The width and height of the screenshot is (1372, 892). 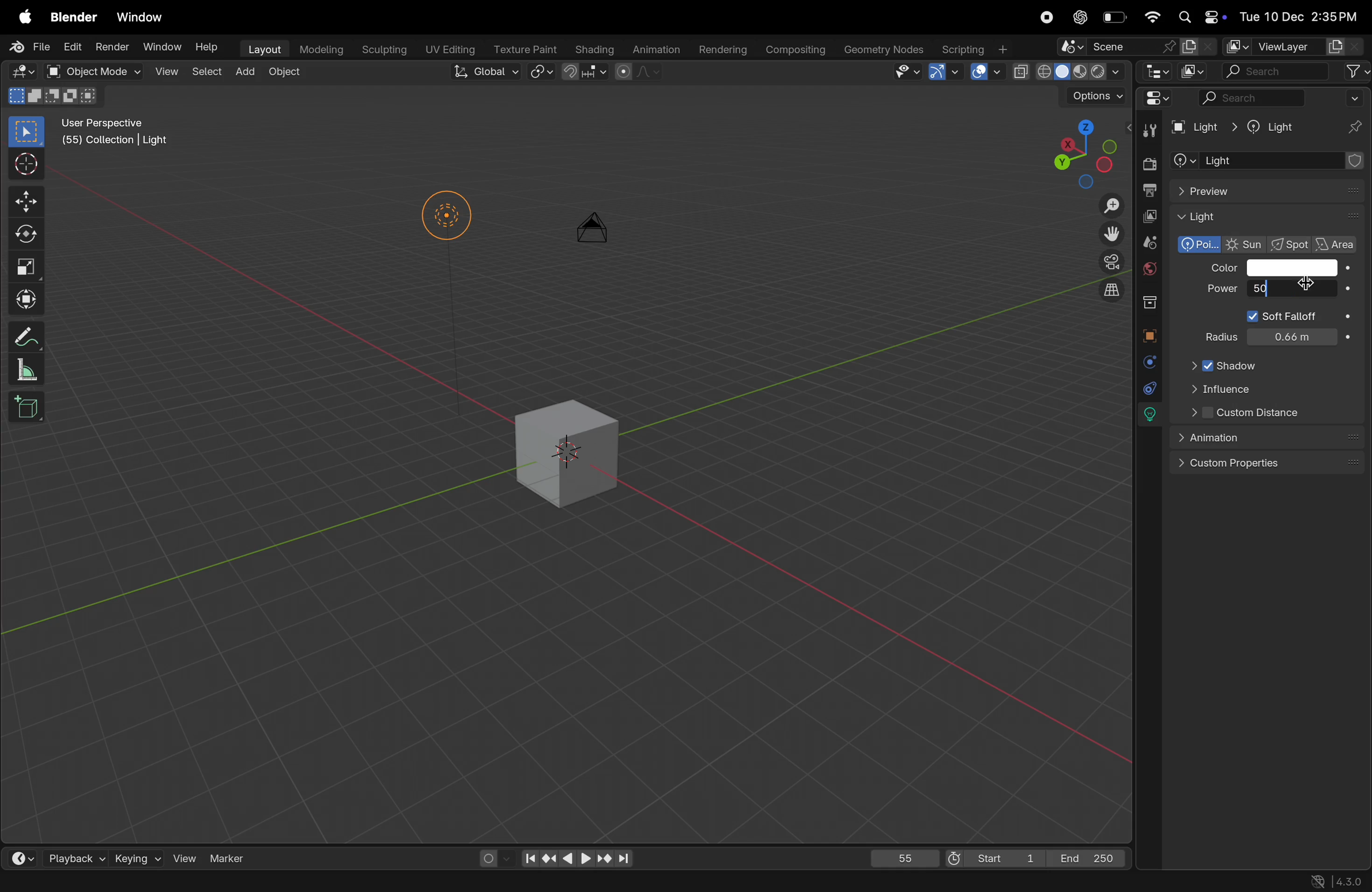 I want to click on 10000, so click(x=1299, y=290).